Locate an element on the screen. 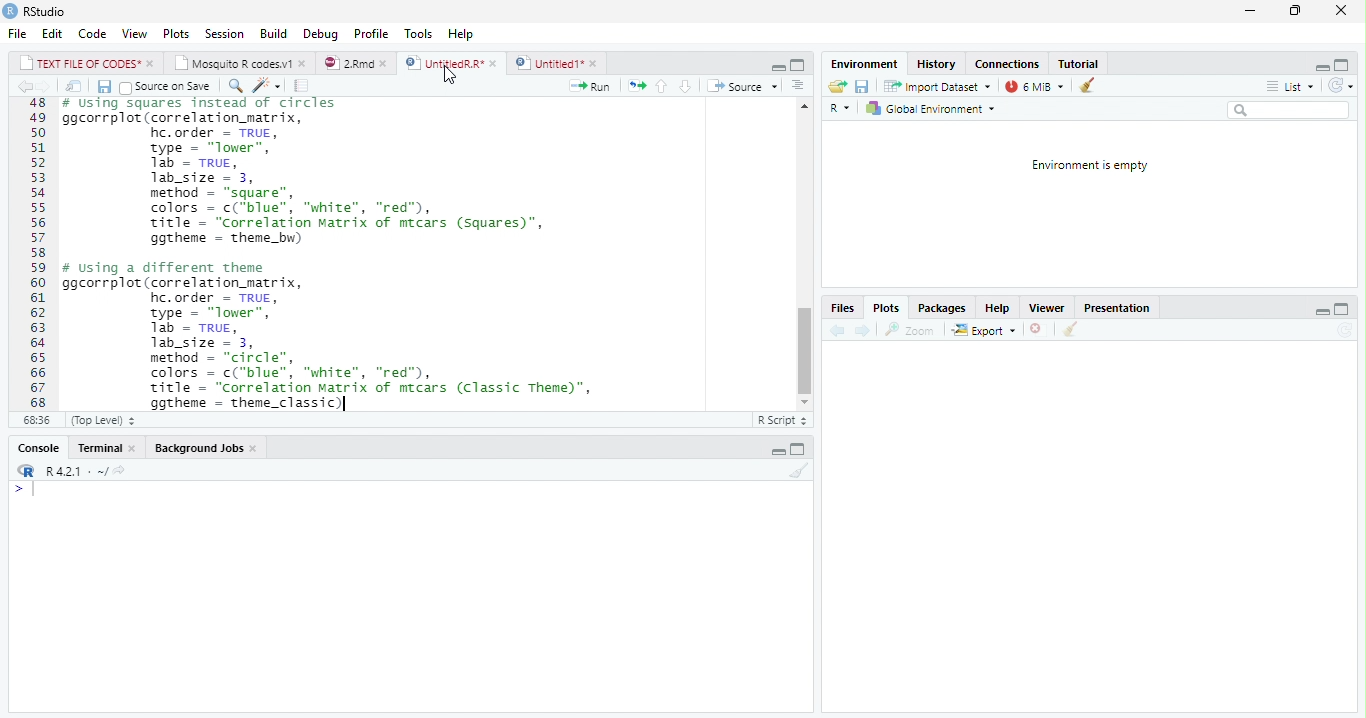 This screenshot has height=718, width=1366. maximize is located at coordinates (1295, 13).